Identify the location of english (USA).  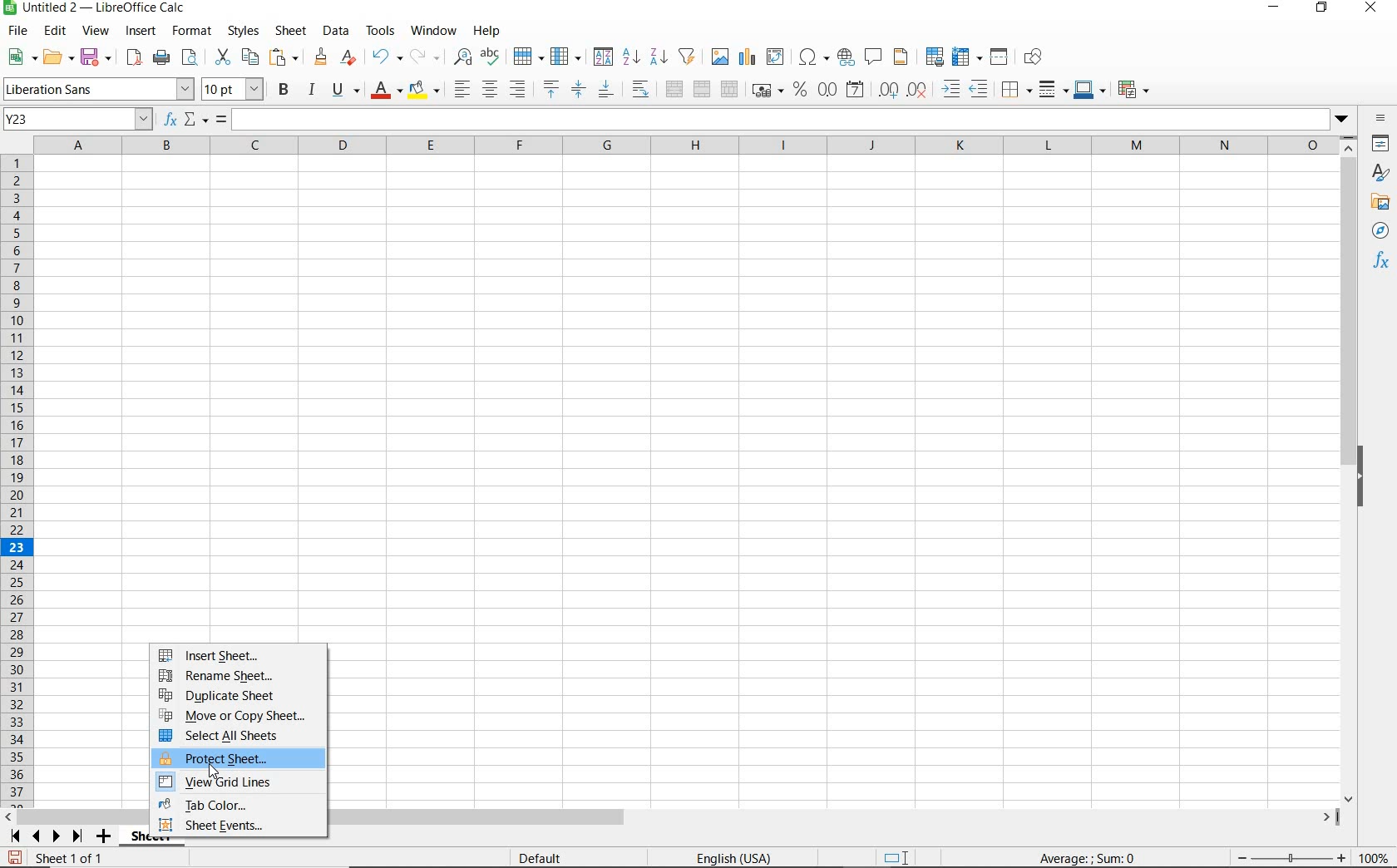
(743, 857).